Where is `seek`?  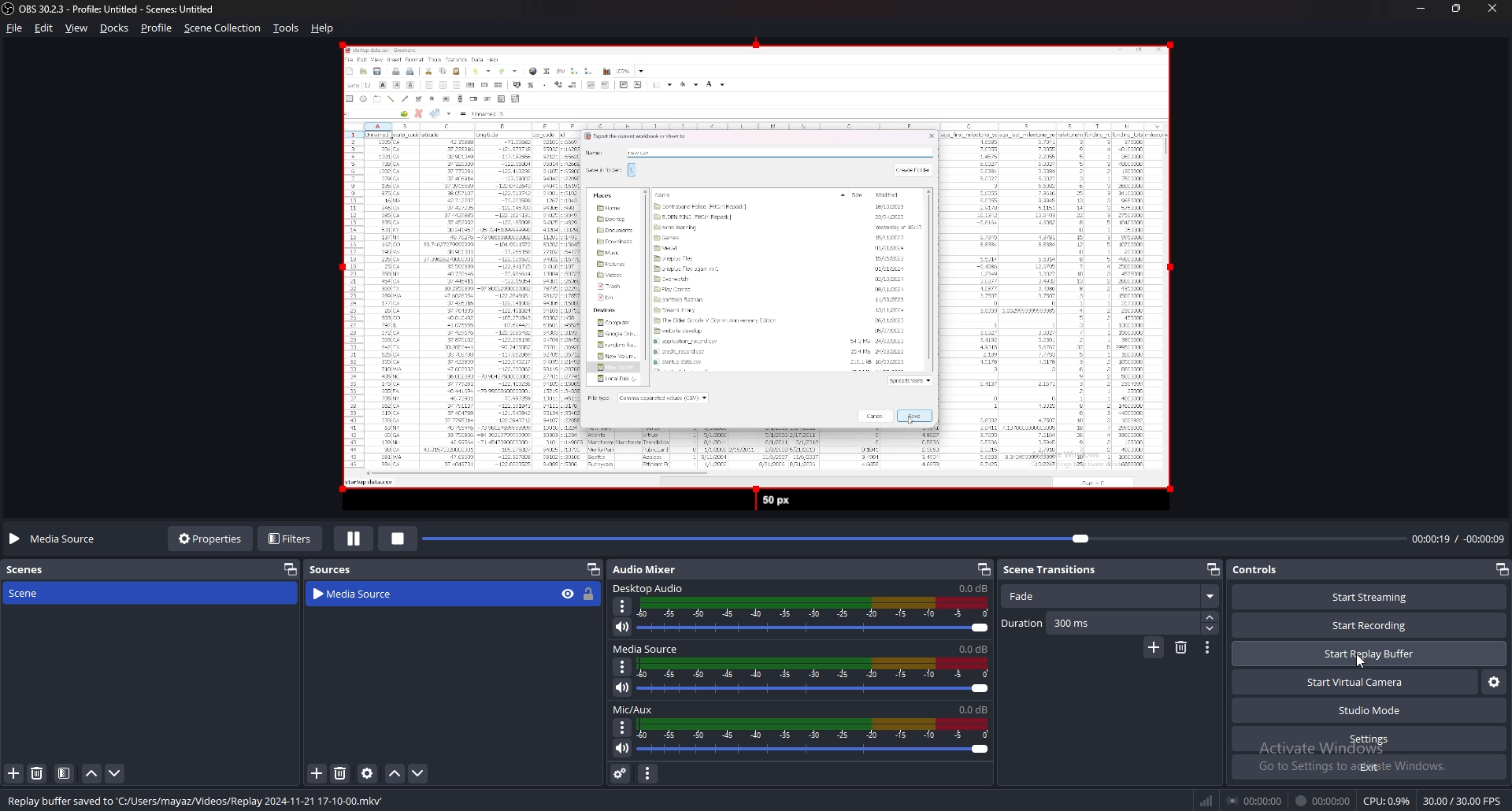 seek is located at coordinates (914, 539).